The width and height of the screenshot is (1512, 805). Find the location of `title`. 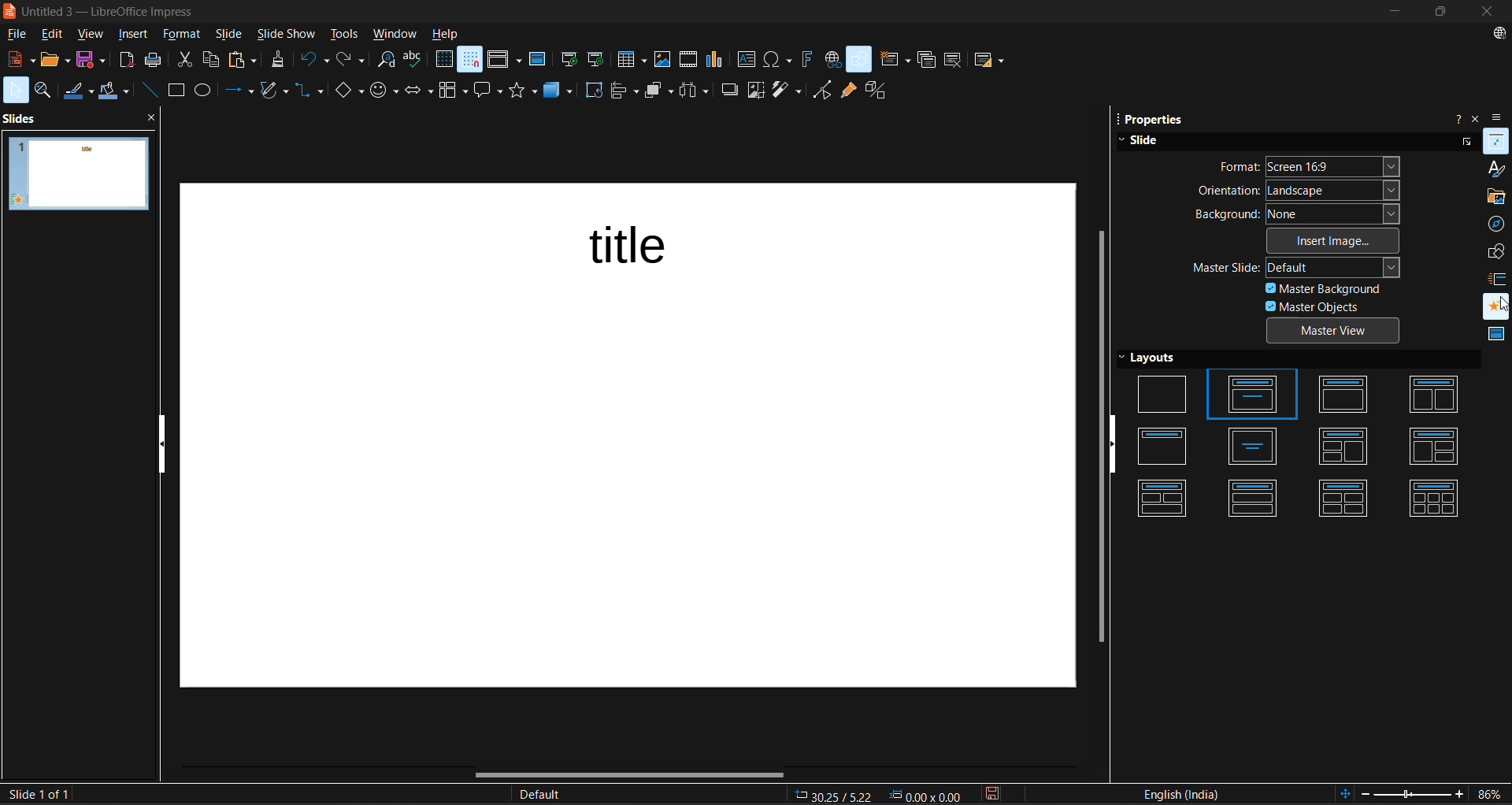

title is located at coordinates (631, 247).